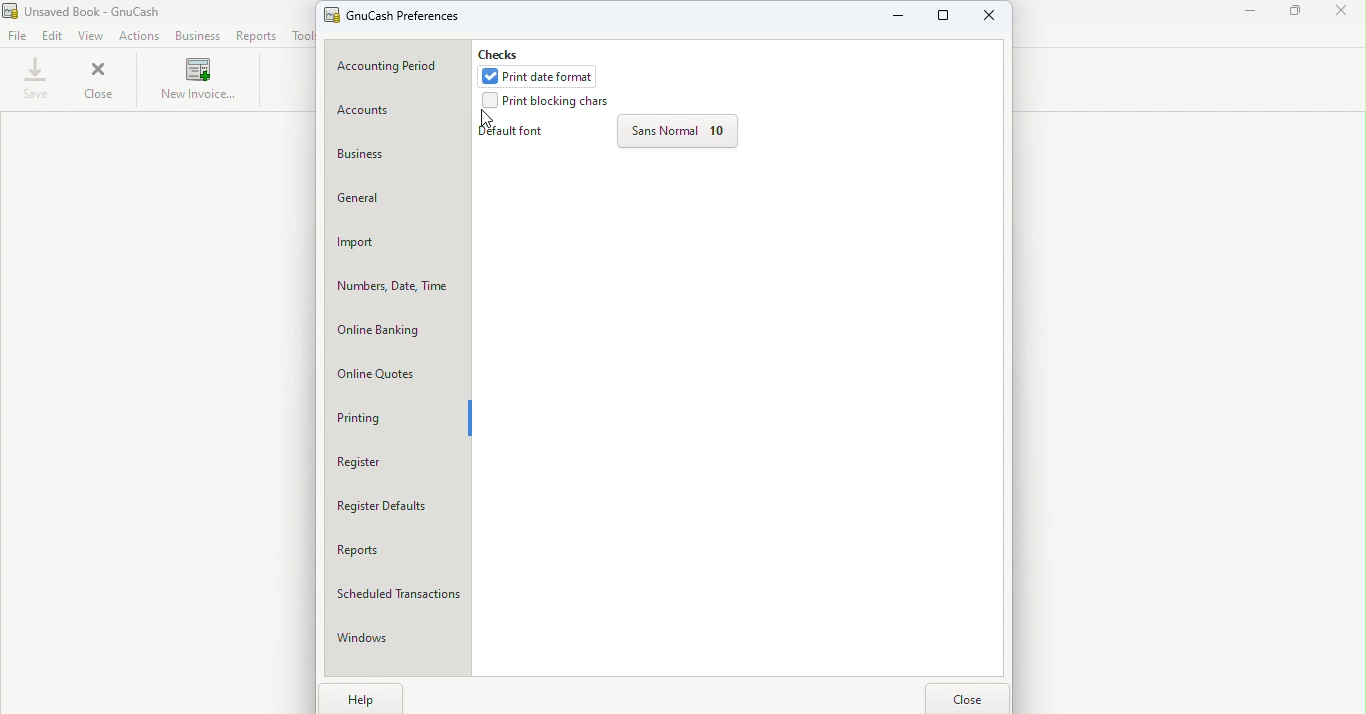 The height and width of the screenshot is (714, 1366). What do you see at coordinates (259, 35) in the screenshot?
I see `Reports` at bounding box center [259, 35].